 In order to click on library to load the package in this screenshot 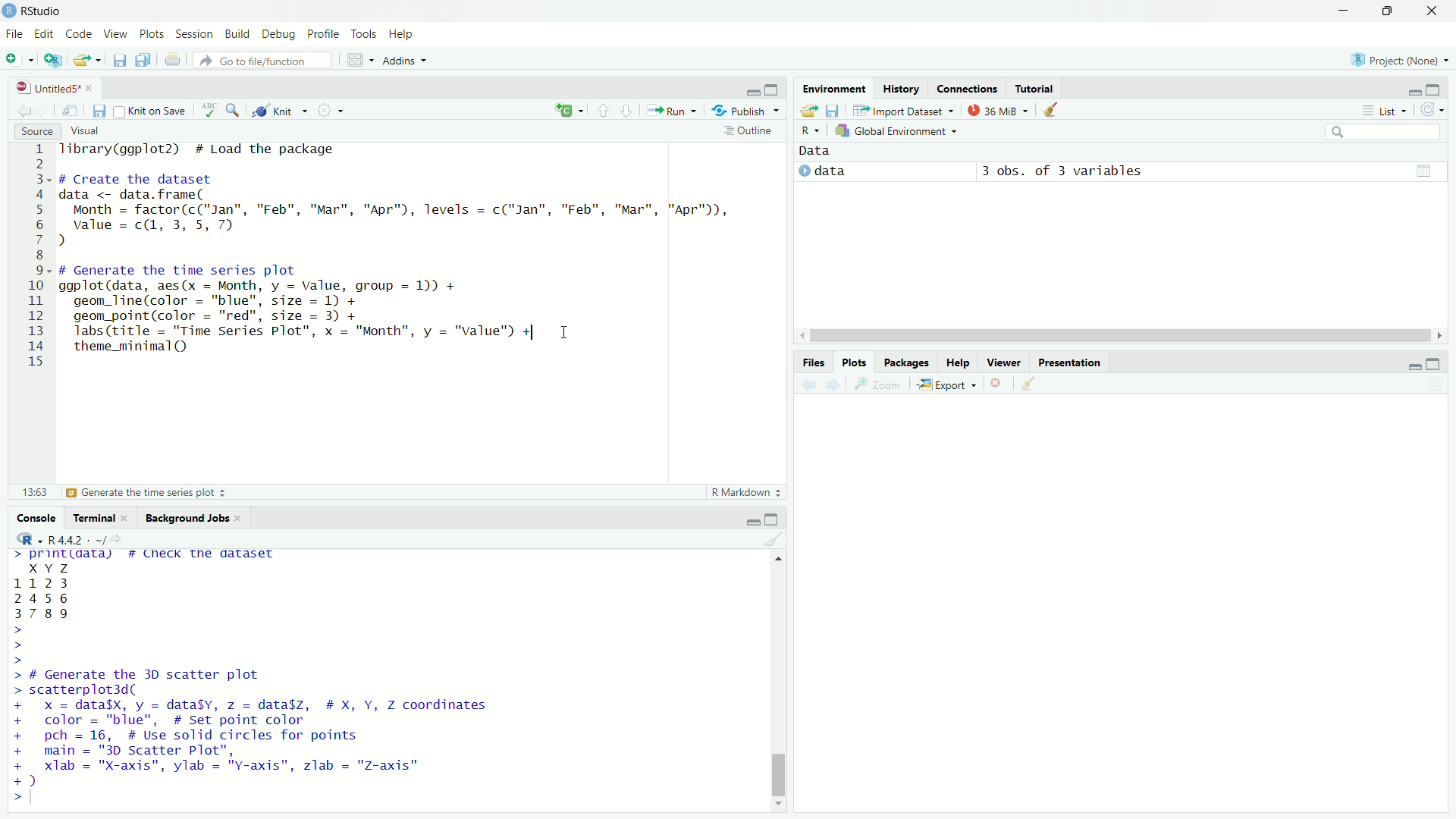, I will do `click(212, 150)`.